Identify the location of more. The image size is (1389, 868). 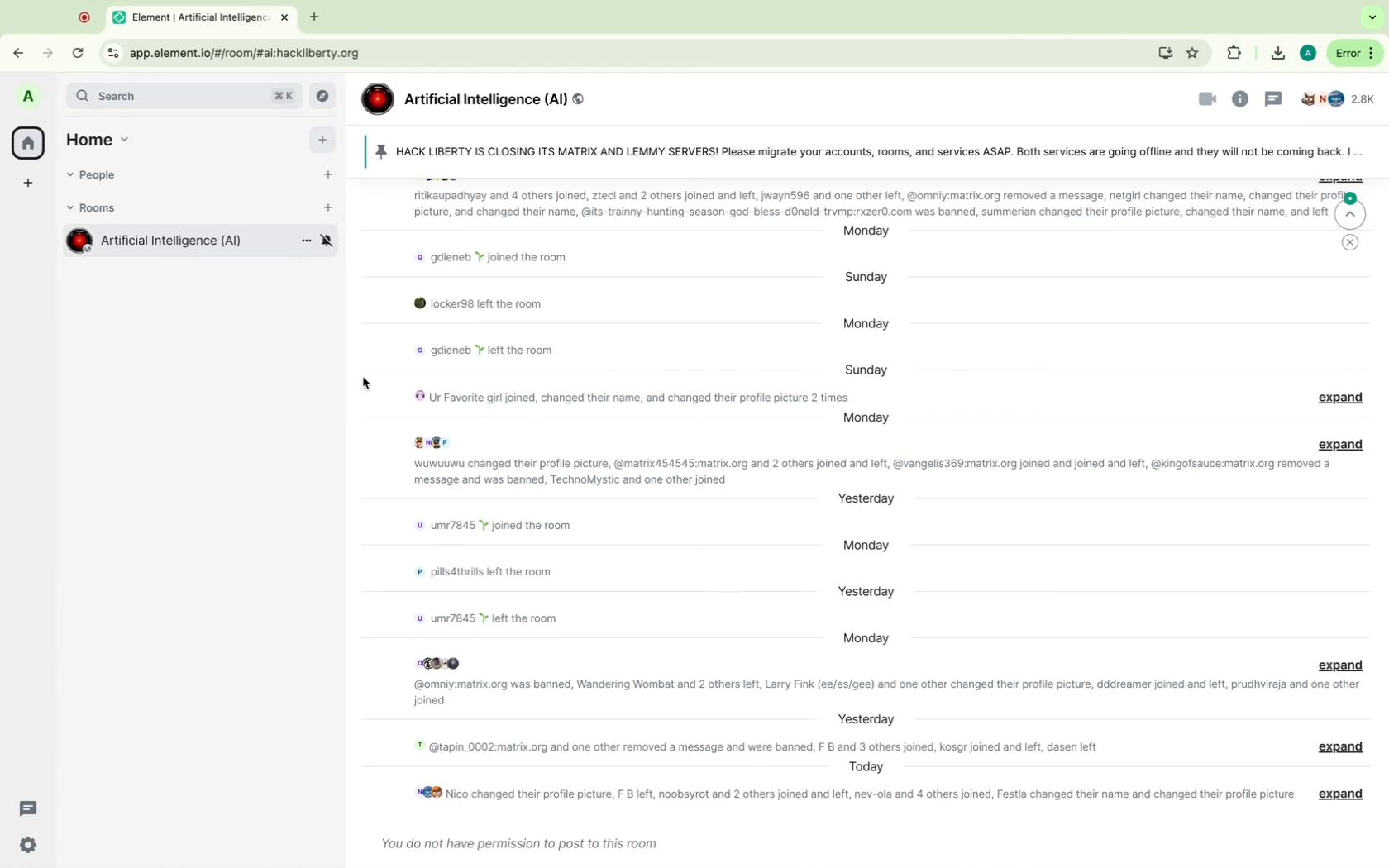
(1354, 54).